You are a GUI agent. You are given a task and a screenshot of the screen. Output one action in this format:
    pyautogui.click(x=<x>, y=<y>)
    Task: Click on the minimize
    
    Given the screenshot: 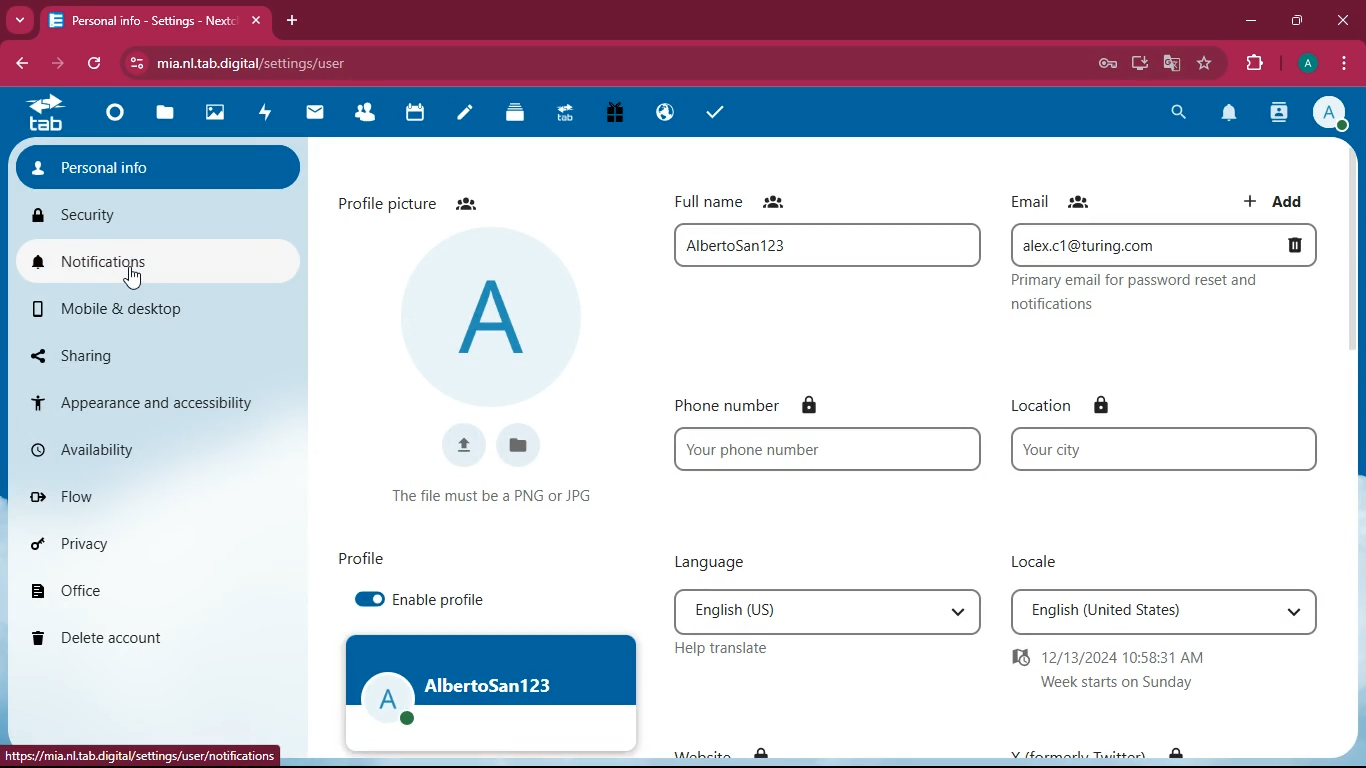 What is the action you would take?
    pyautogui.click(x=1250, y=19)
    